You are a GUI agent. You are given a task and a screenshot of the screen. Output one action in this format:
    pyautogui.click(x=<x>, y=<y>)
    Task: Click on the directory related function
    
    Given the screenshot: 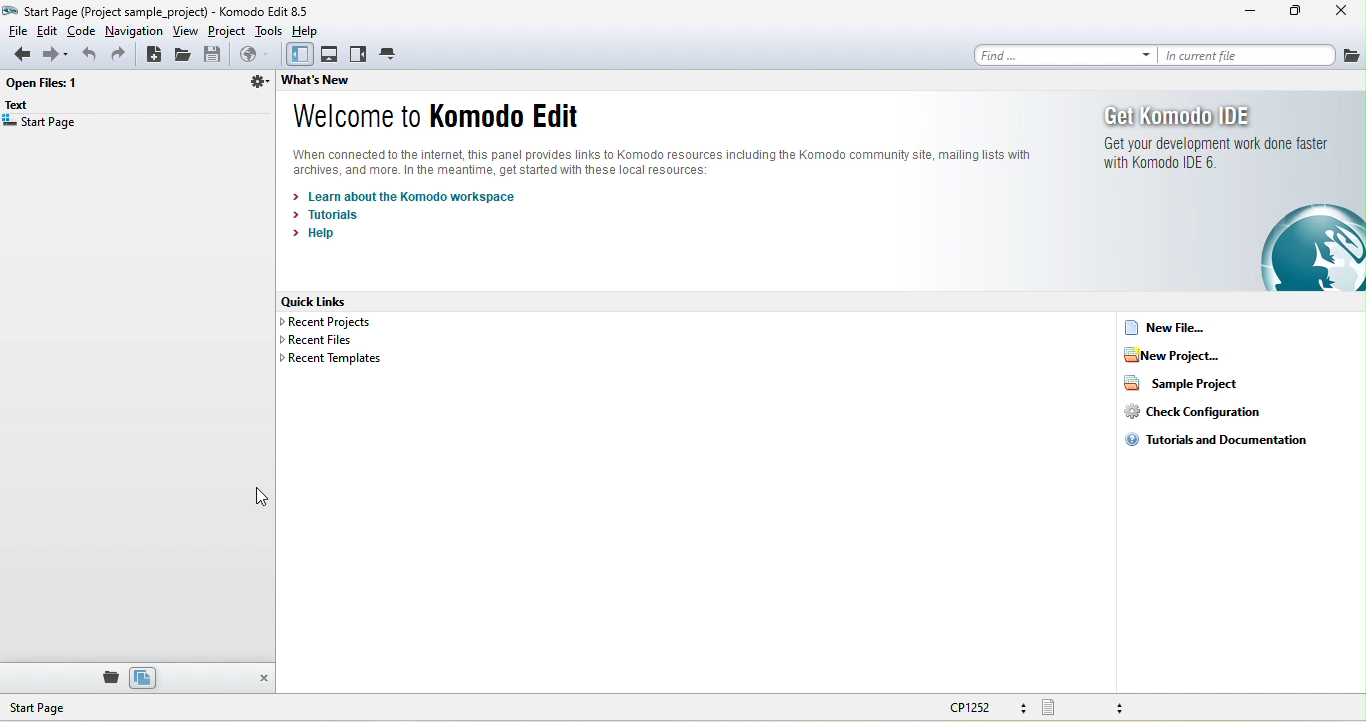 What is the action you would take?
    pyautogui.click(x=257, y=85)
    